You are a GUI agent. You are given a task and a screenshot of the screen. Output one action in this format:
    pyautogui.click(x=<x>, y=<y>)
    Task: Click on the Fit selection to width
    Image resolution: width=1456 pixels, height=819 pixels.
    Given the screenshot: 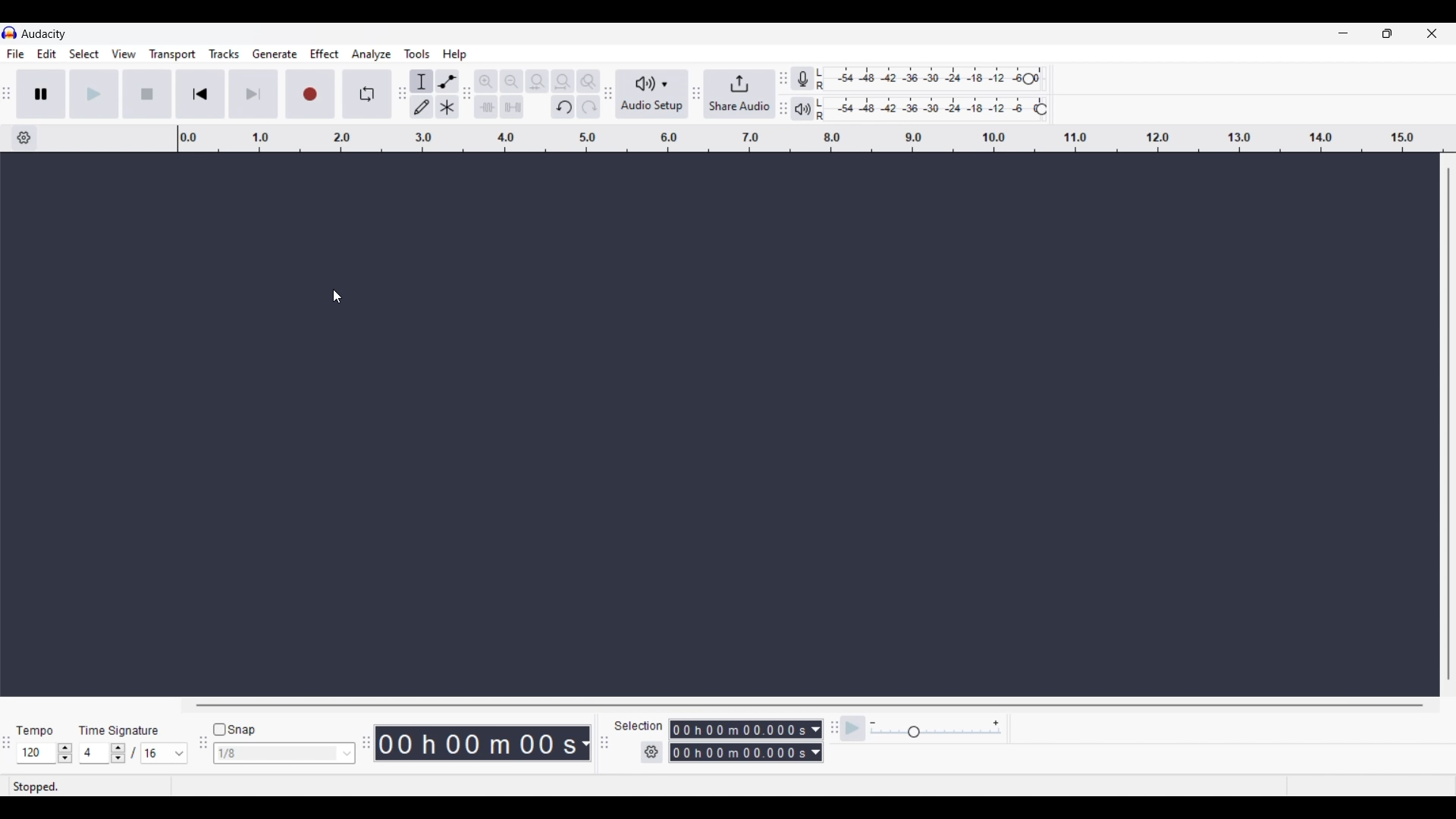 What is the action you would take?
    pyautogui.click(x=537, y=82)
    